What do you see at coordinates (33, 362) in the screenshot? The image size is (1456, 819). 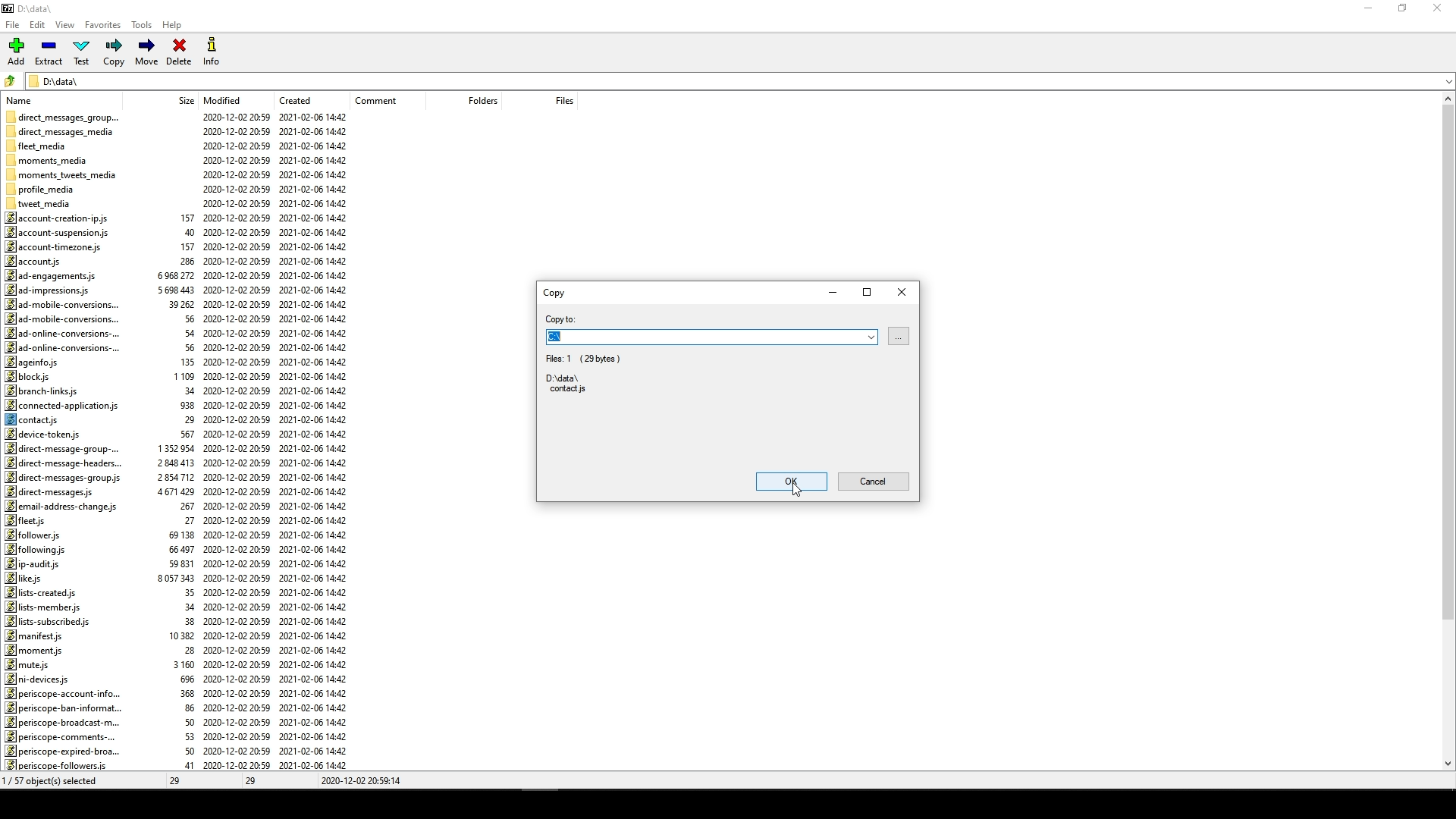 I see `ageinfo.js` at bounding box center [33, 362].